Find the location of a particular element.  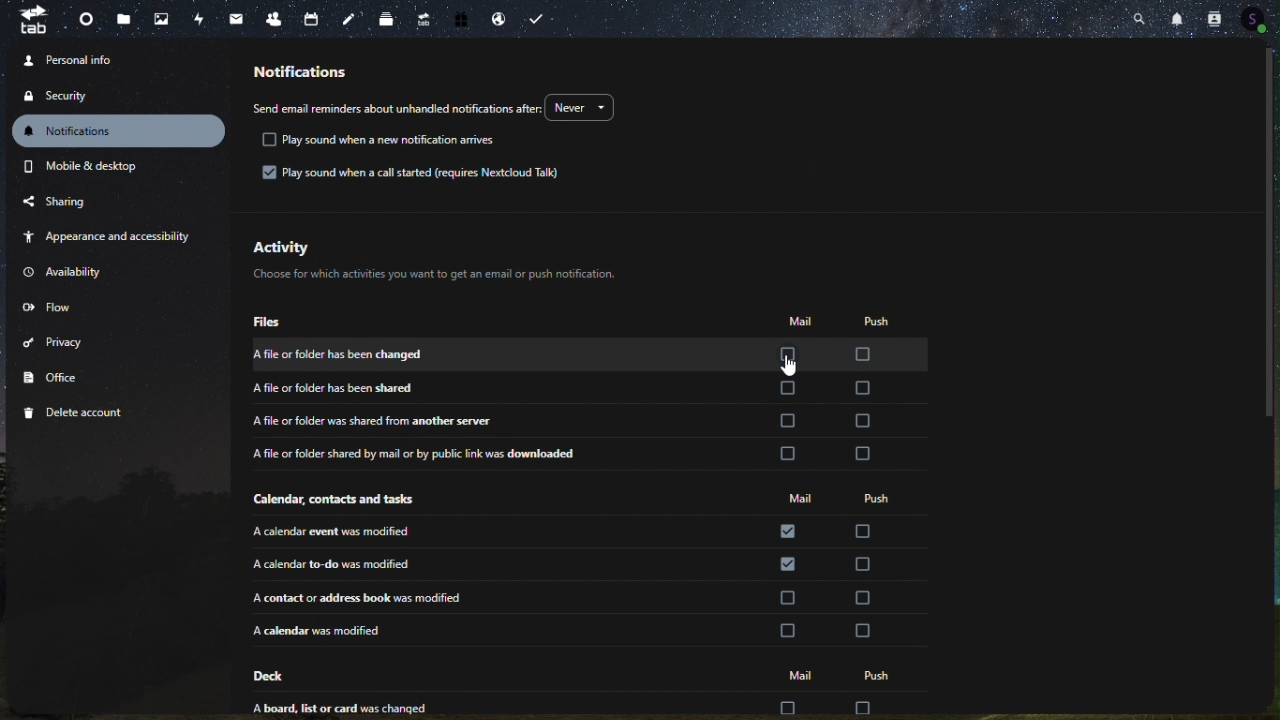

delete account is located at coordinates (90, 413).